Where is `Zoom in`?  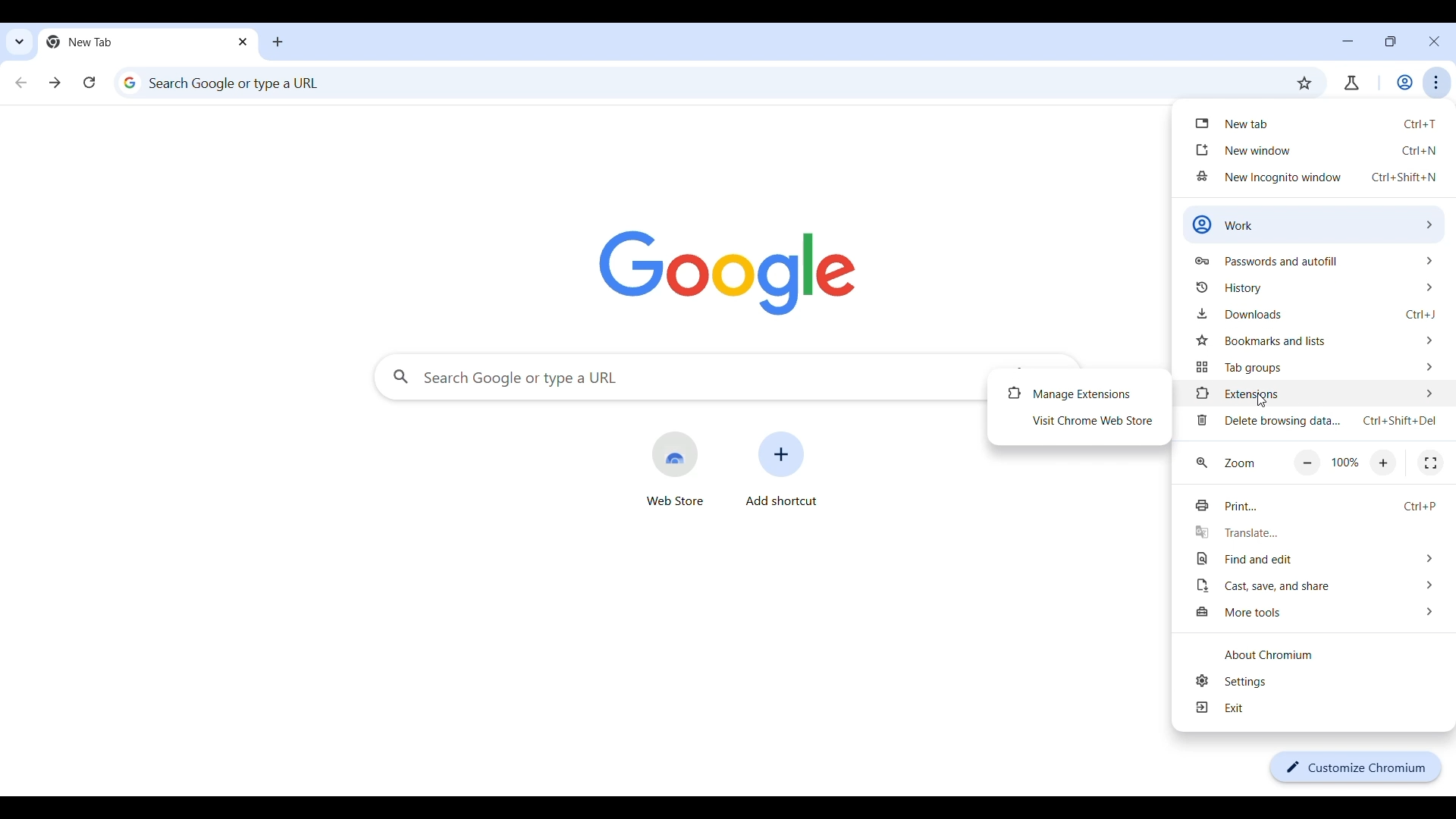 Zoom in is located at coordinates (1384, 463).